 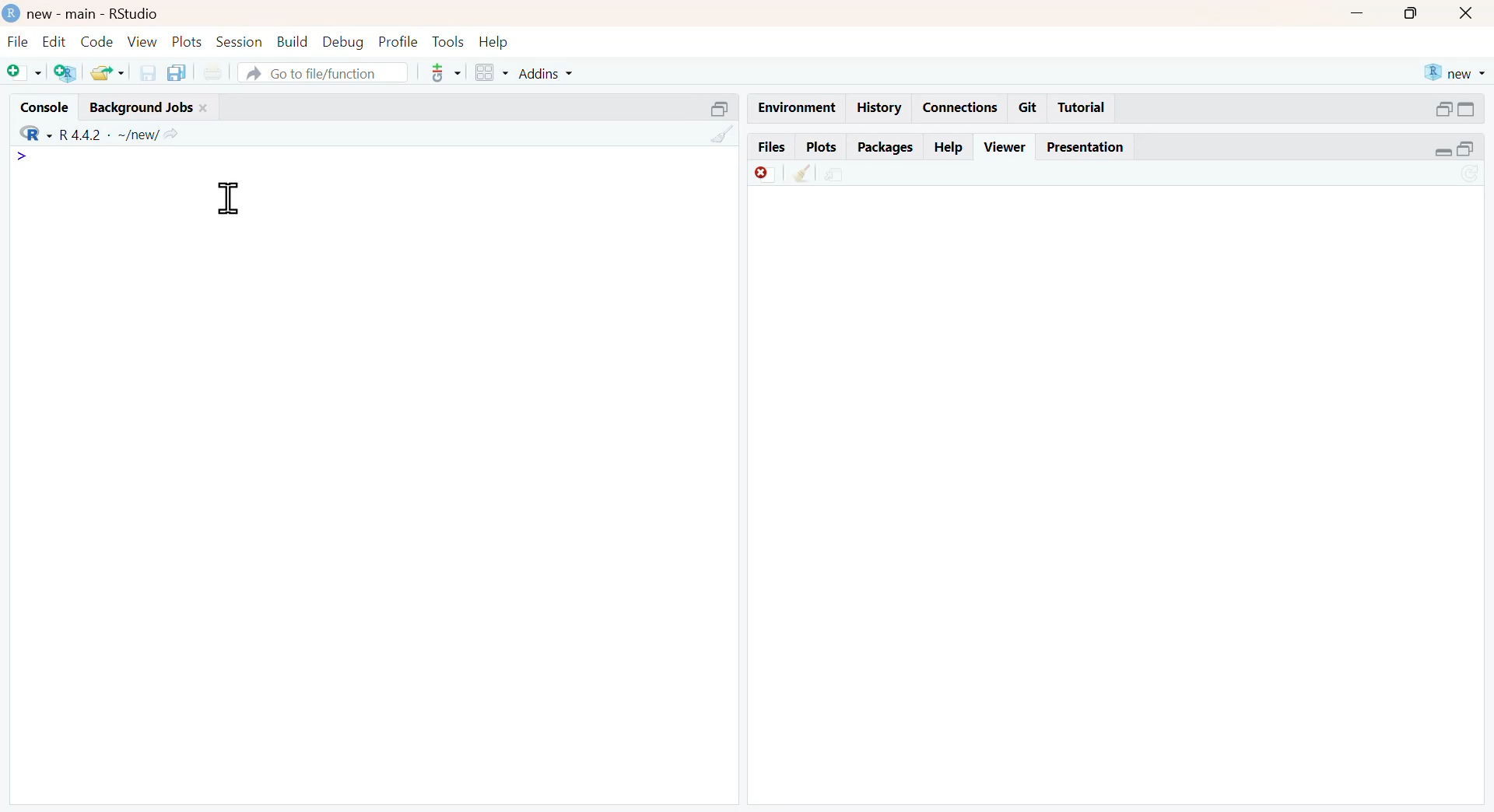 I want to click on logo, so click(x=13, y=12).